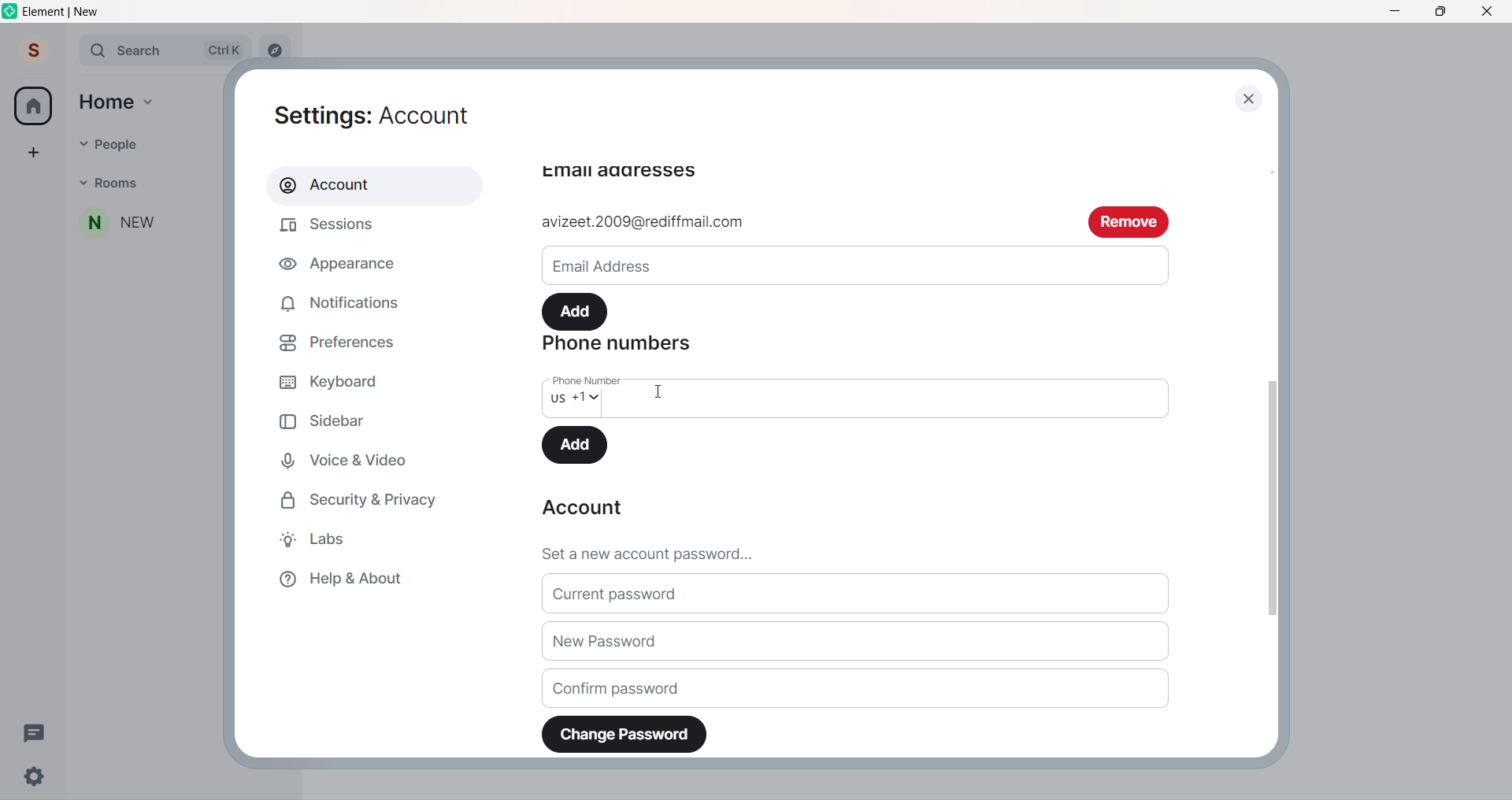 The image size is (1512, 800). What do you see at coordinates (580, 404) in the screenshot?
I see `Select Country` at bounding box center [580, 404].